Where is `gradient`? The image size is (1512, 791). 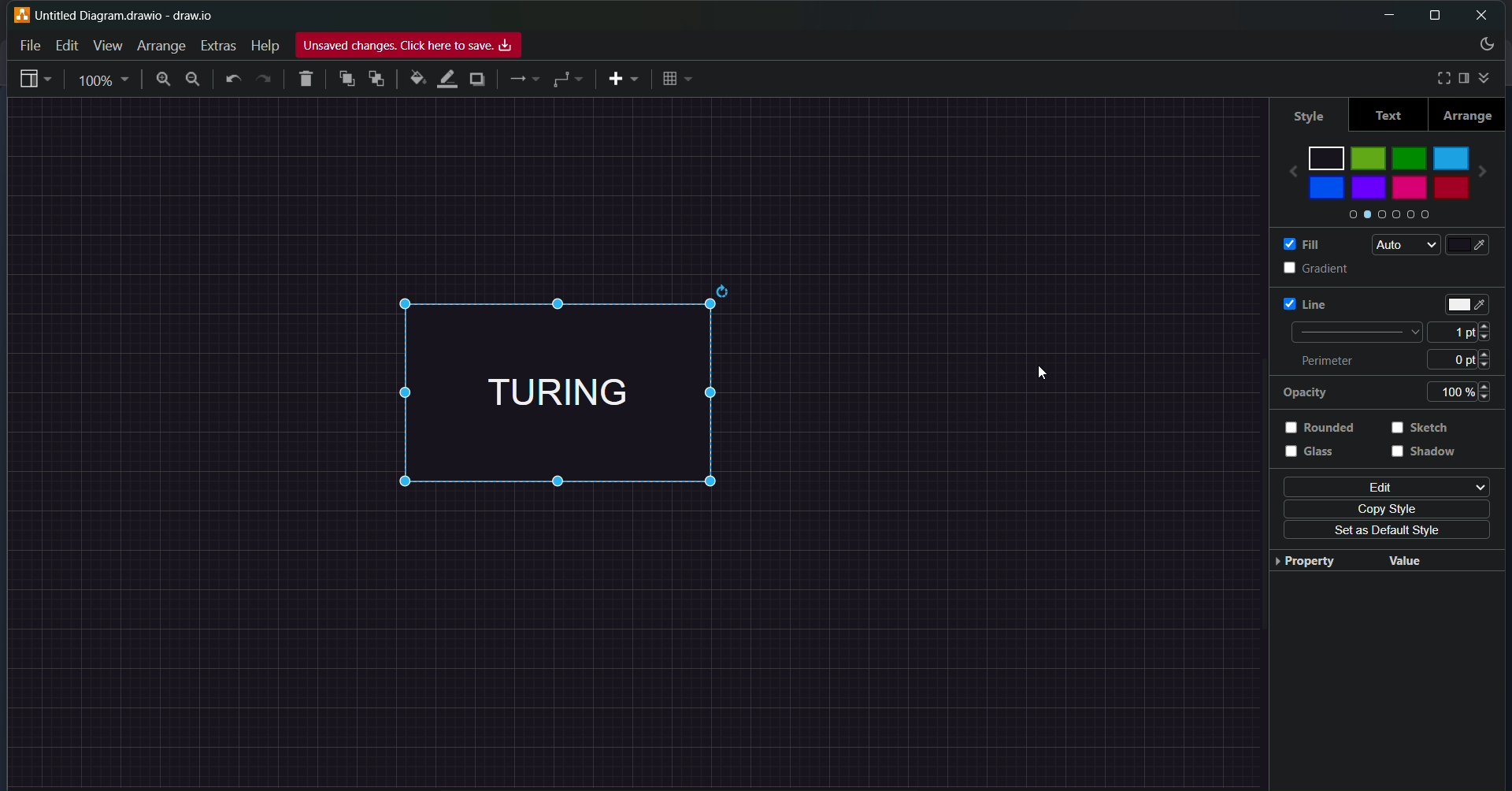
gradient is located at coordinates (1301, 268).